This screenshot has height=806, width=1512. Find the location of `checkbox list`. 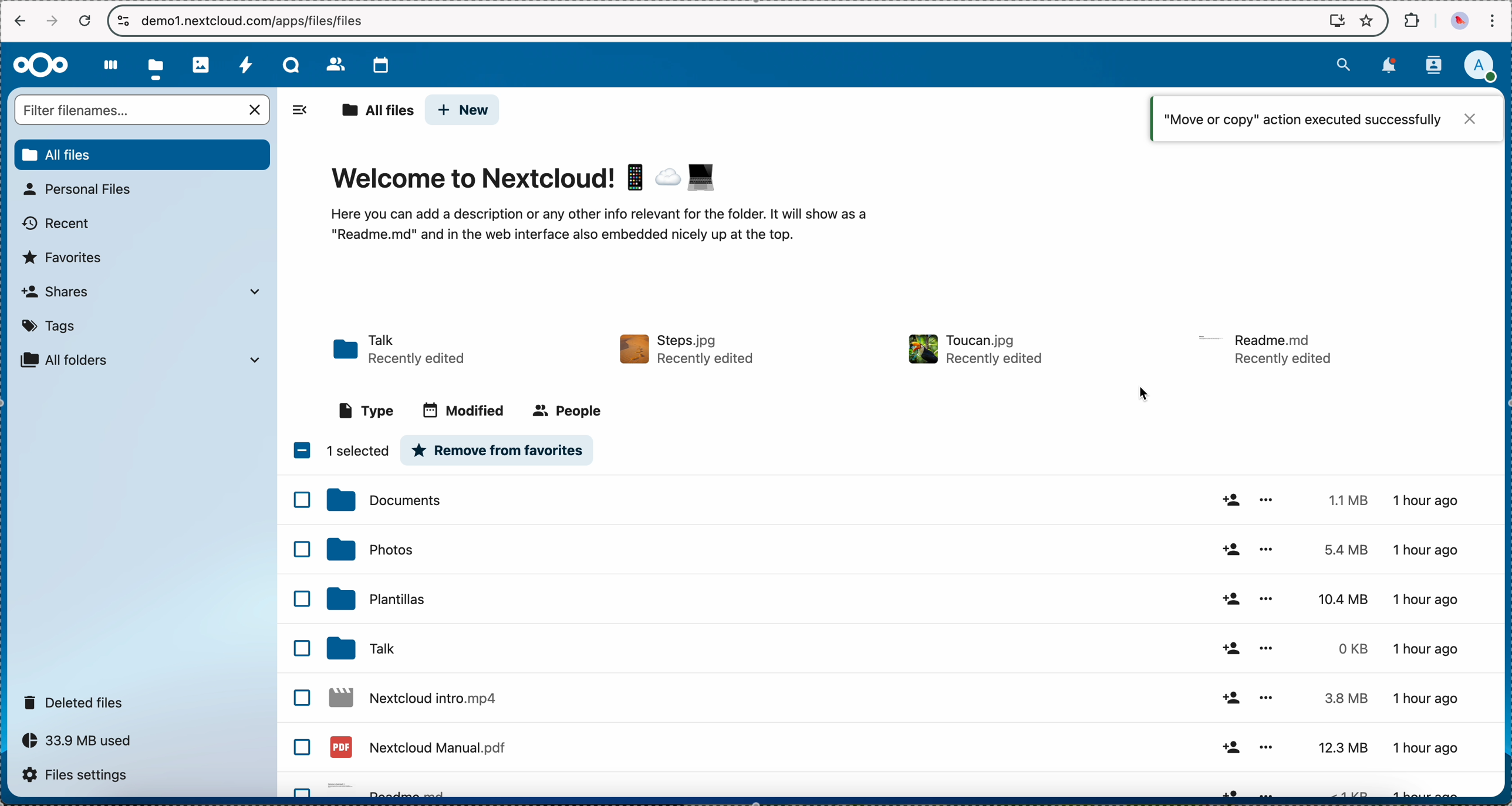

checkbox list is located at coordinates (301, 641).